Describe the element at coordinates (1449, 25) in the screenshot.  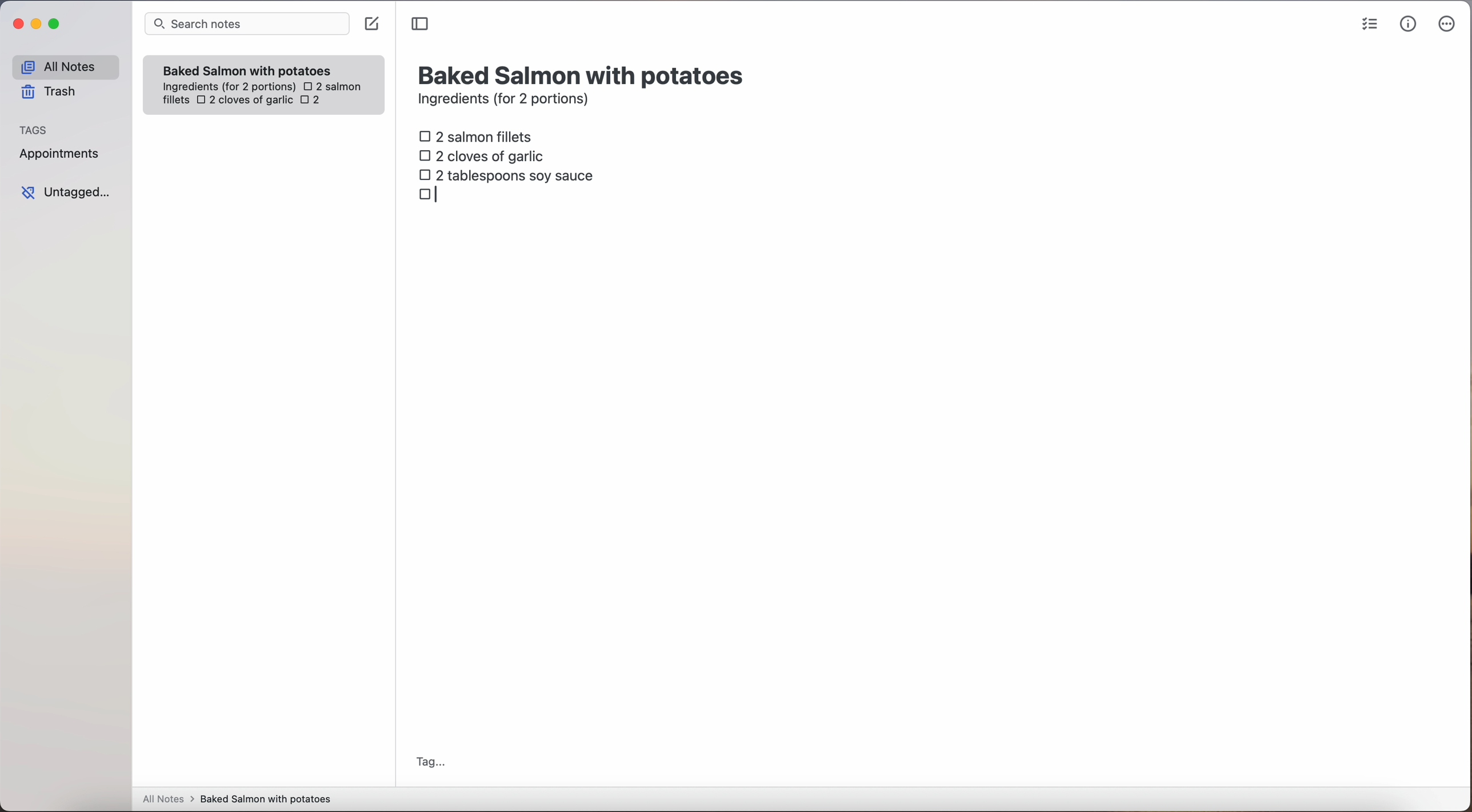
I see `more options` at that location.